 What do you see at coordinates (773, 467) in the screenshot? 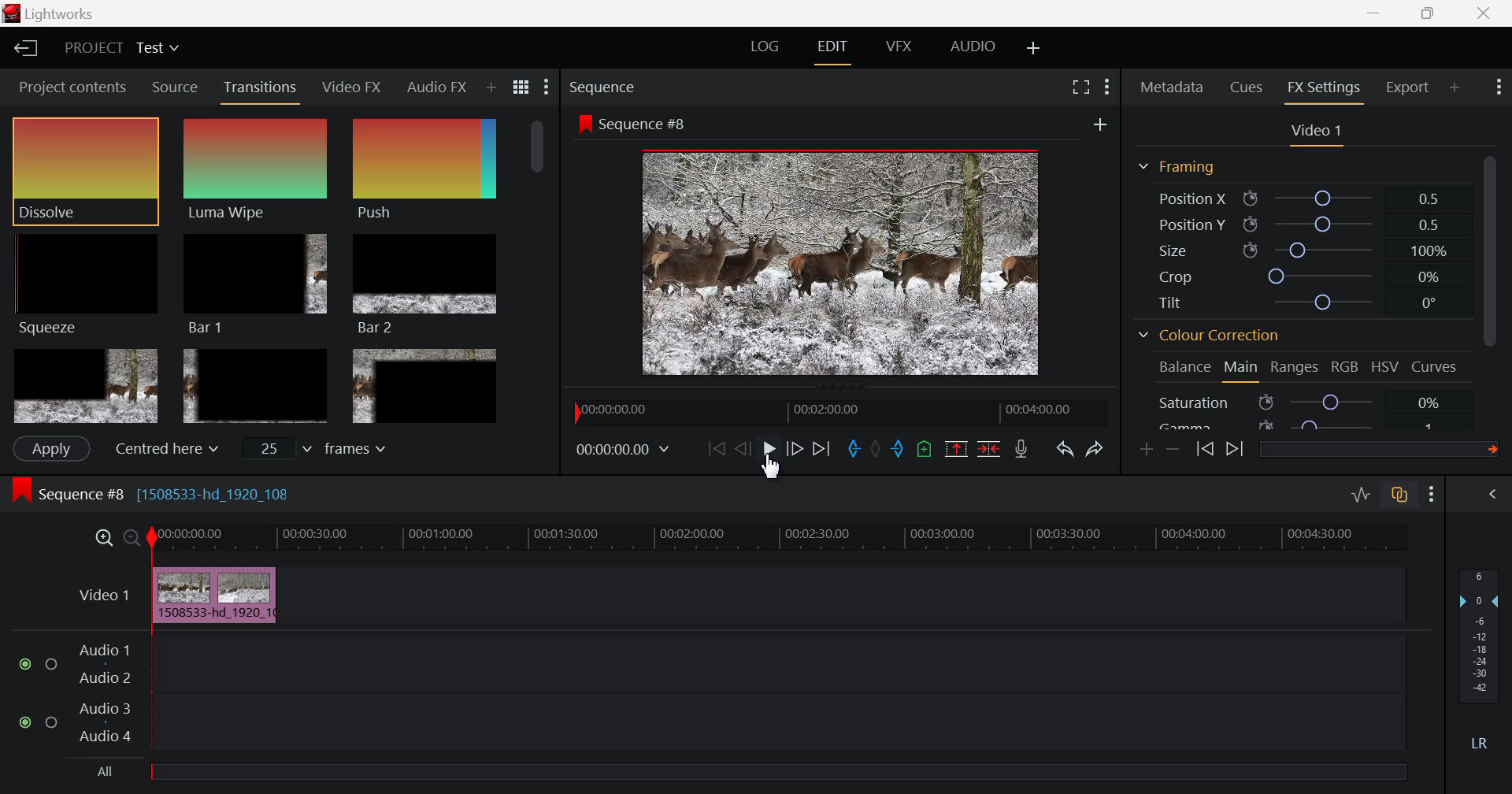
I see `Cursor` at bounding box center [773, 467].